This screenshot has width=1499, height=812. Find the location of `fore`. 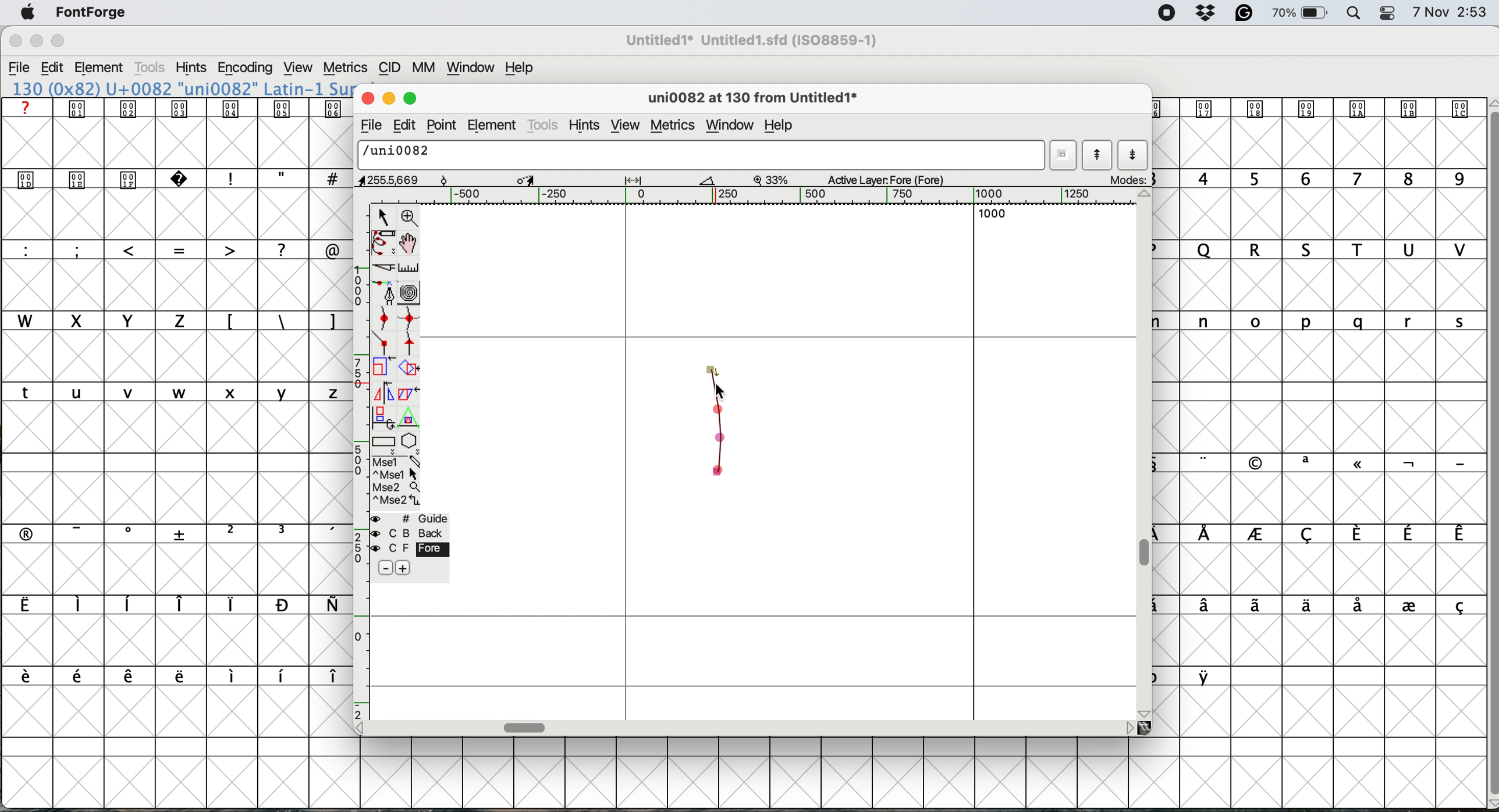

fore is located at coordinates (408, 550).